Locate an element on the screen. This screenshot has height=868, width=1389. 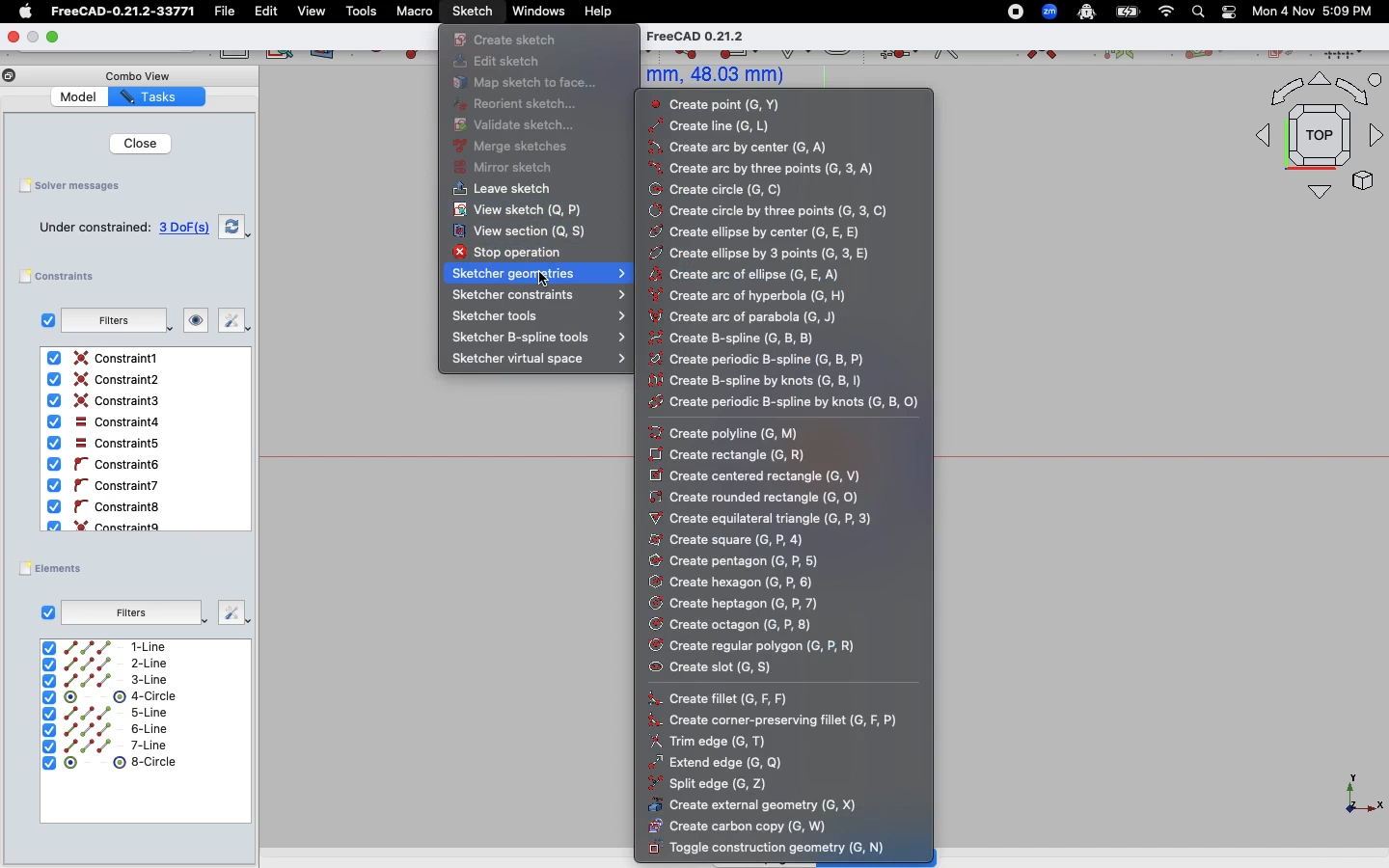
Sketcher constraints is located at coordinates (541, 296).